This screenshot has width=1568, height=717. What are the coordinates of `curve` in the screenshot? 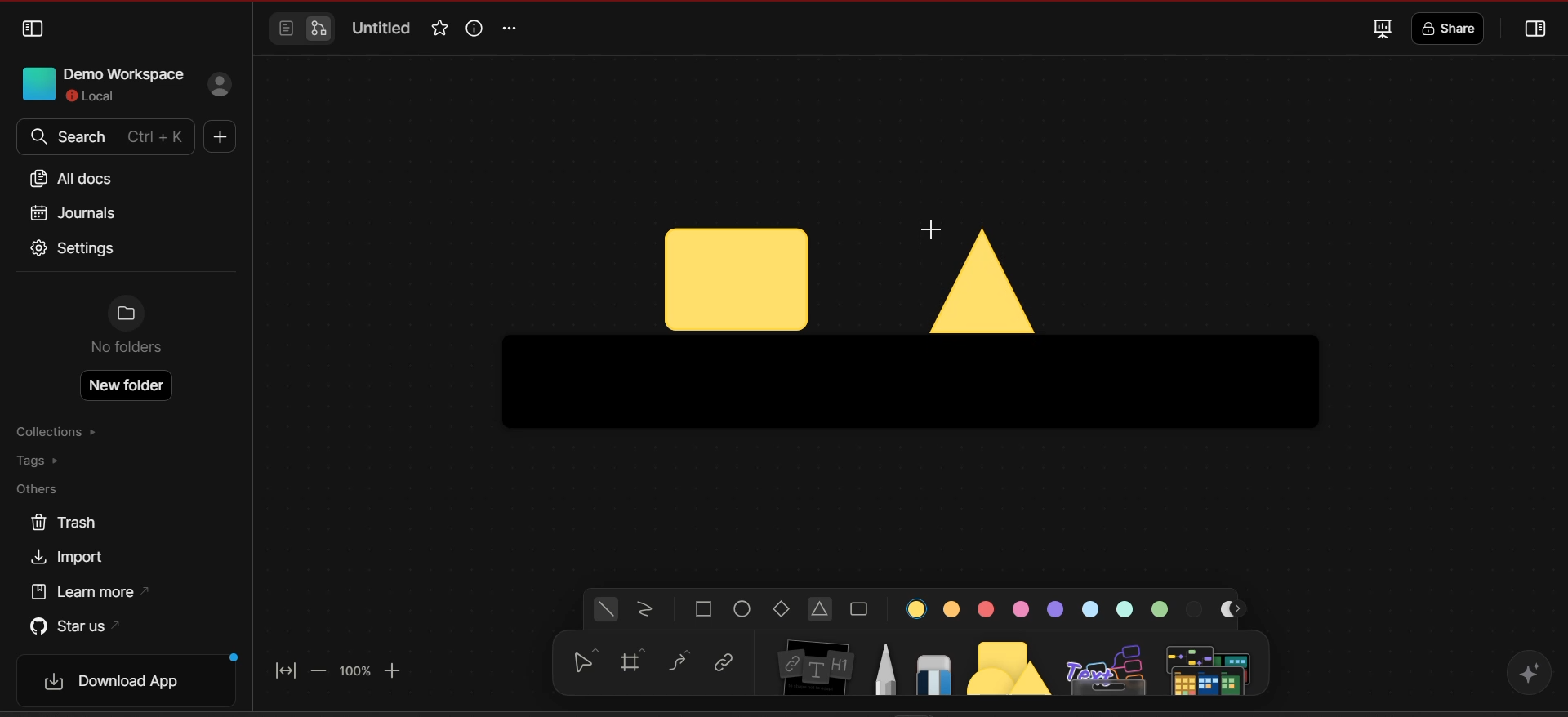 It's located at (681, 661).